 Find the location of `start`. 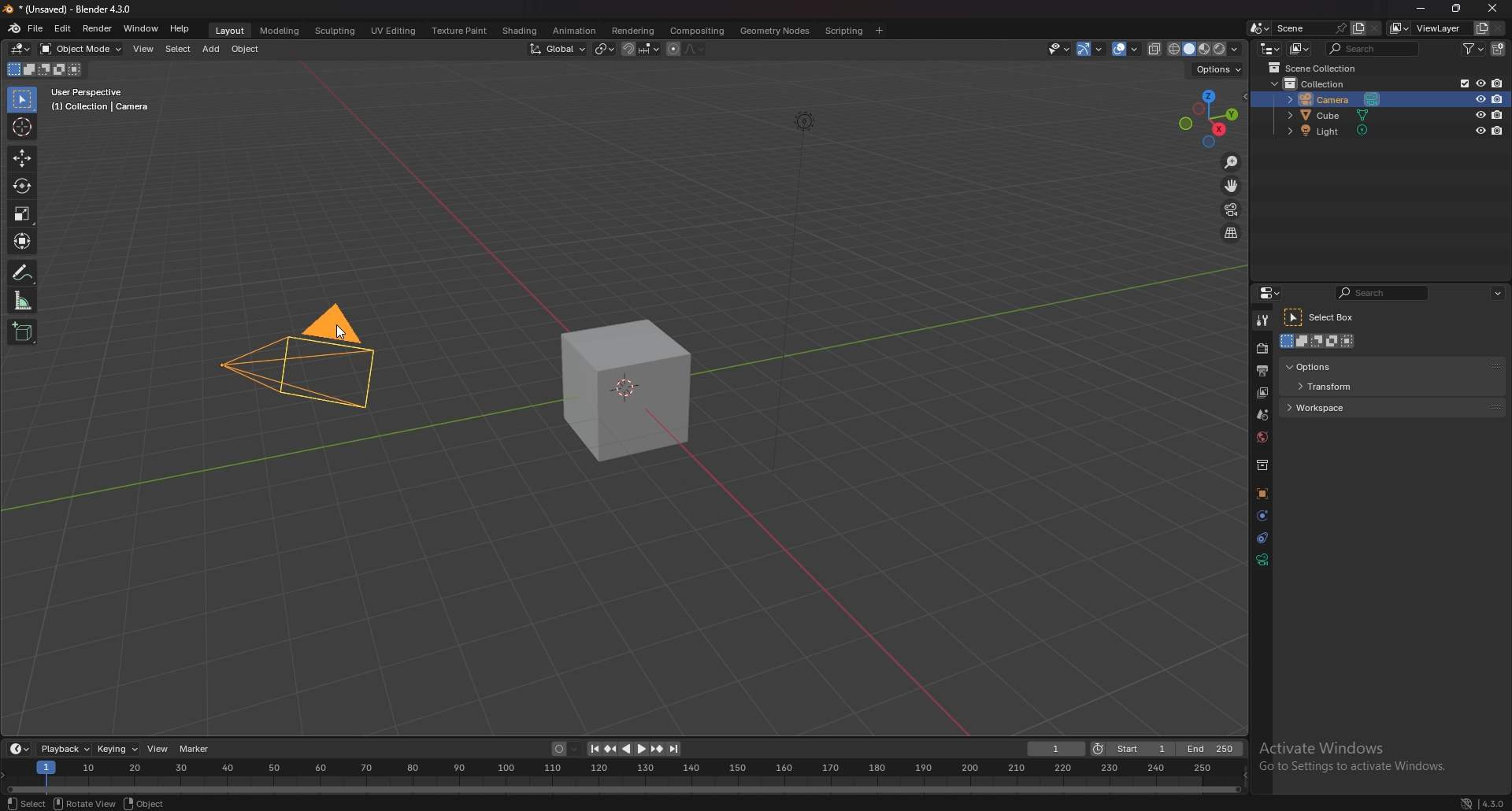

start is located at coordinates (1132, 750).